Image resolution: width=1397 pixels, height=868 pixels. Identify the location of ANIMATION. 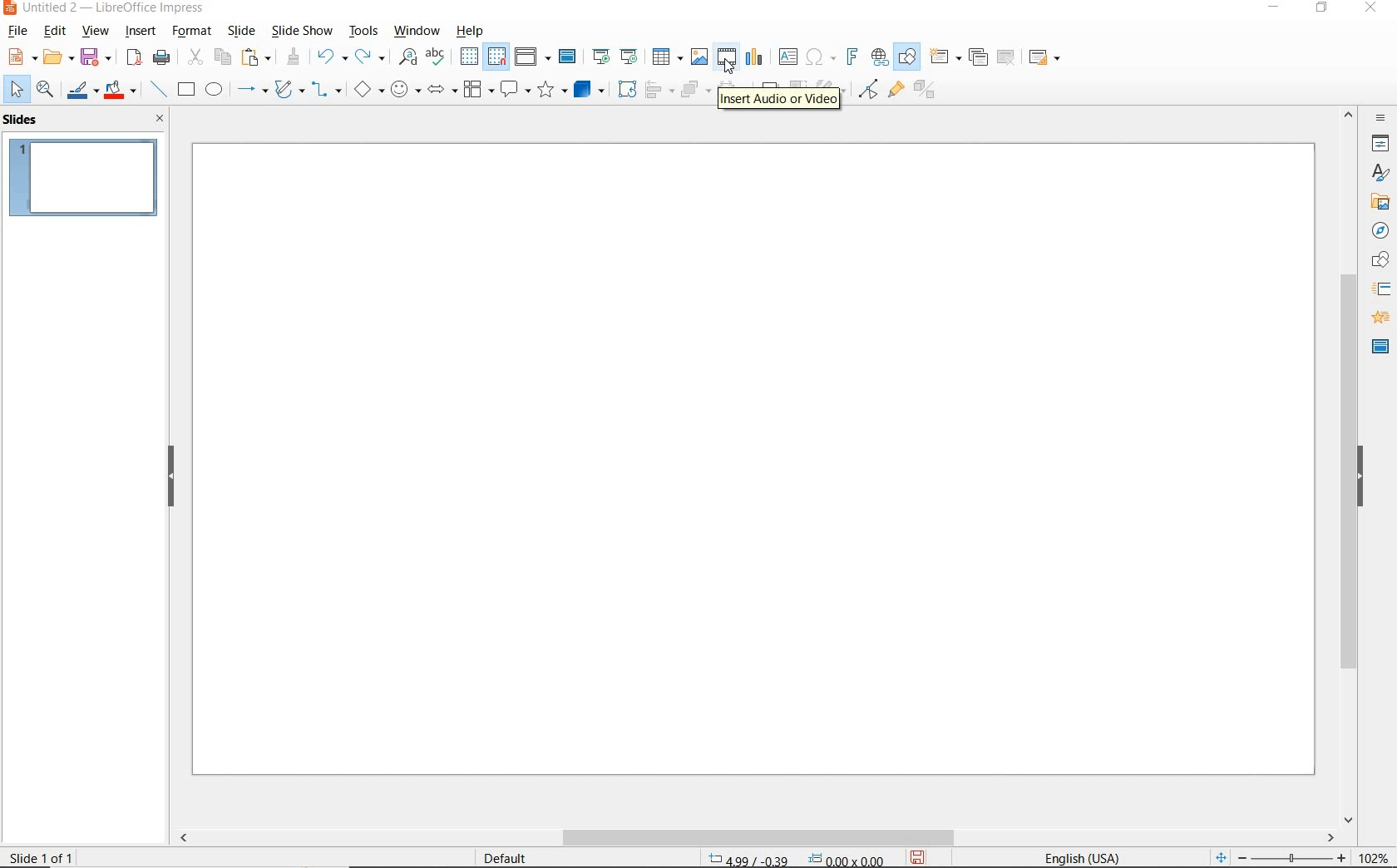
(1380, 318).